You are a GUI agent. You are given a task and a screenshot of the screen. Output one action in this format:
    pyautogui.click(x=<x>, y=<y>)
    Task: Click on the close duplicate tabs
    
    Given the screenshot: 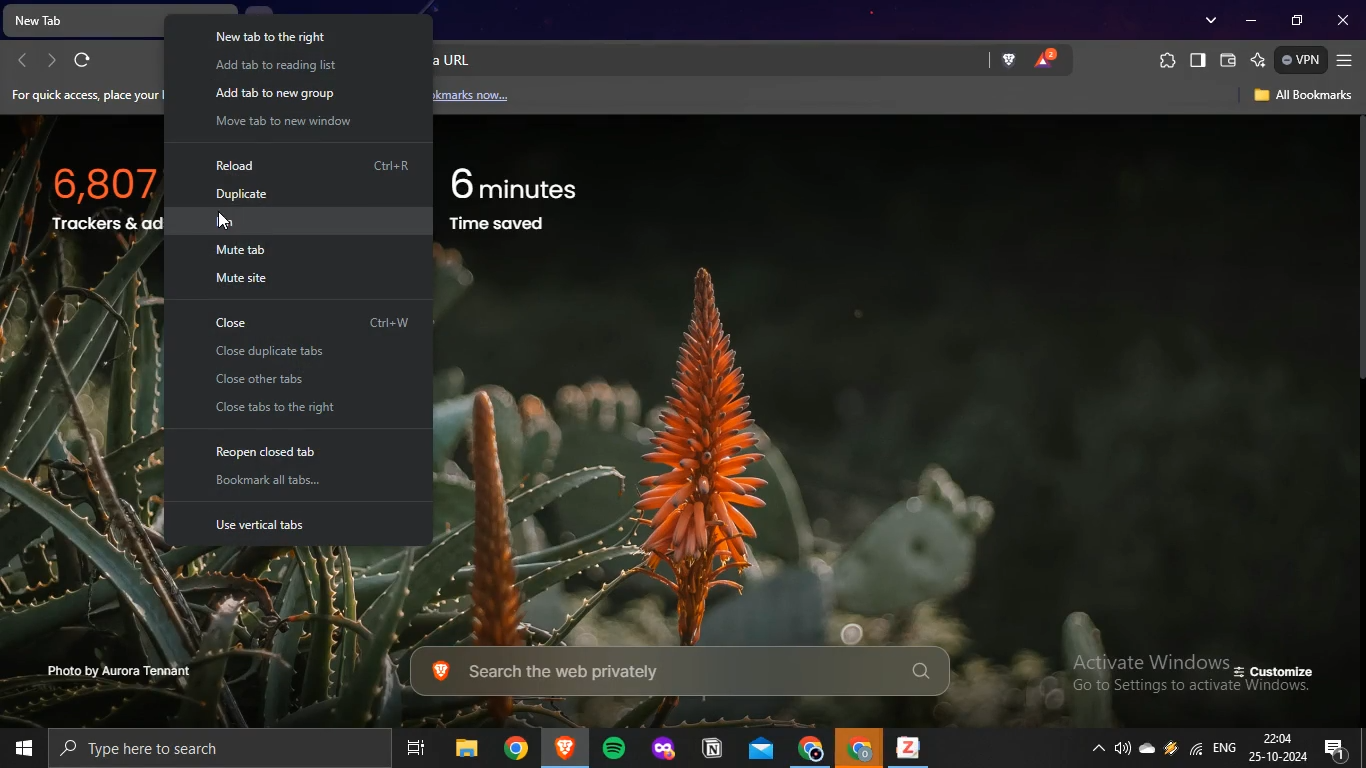 What is the action you would take?
    pyautogui.click(x=285, y=353)
    